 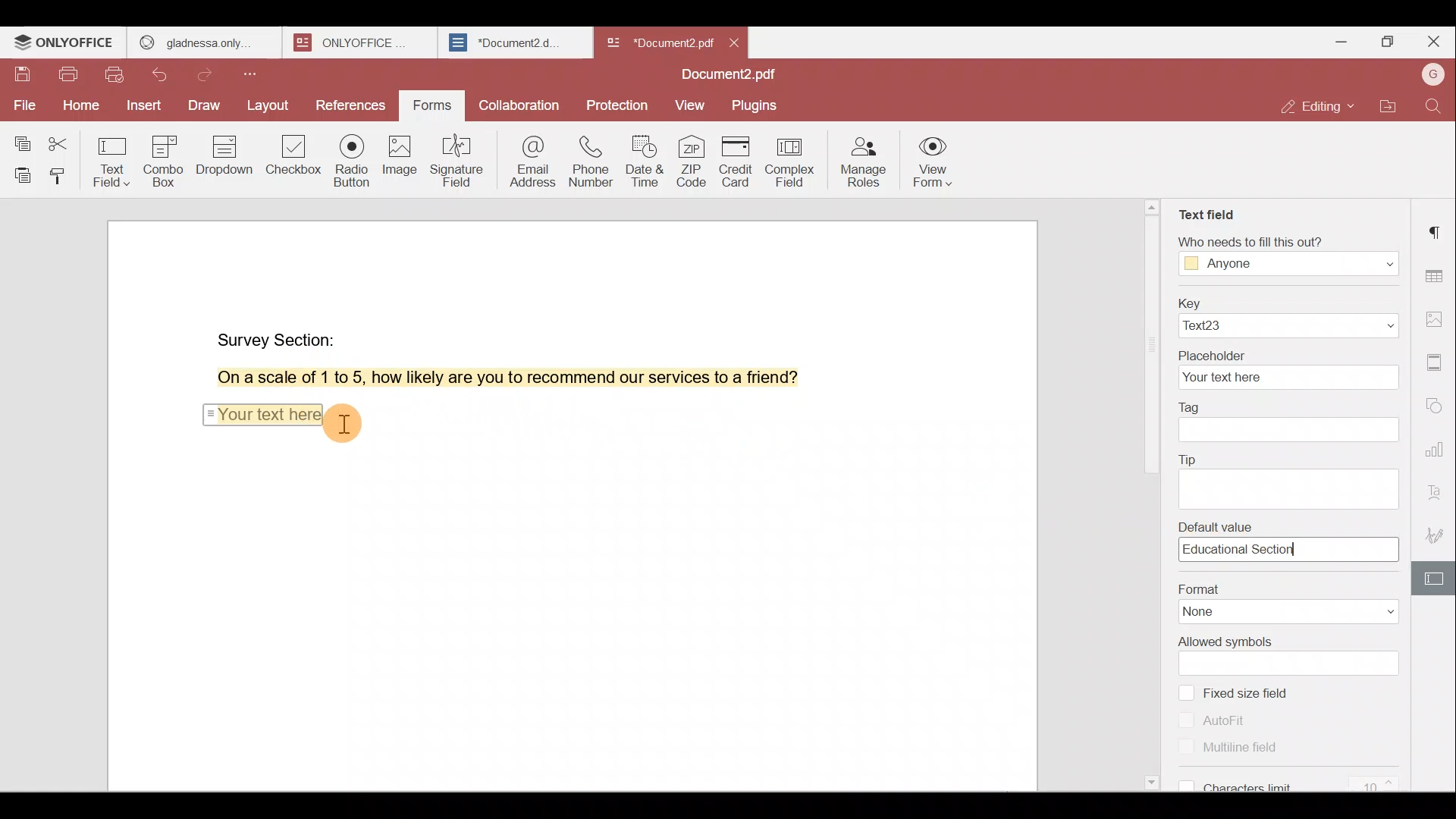 What do you see at coordinates (1283, 600) in the screenshot?
I see `Format` at bounding box center [1283, 600].